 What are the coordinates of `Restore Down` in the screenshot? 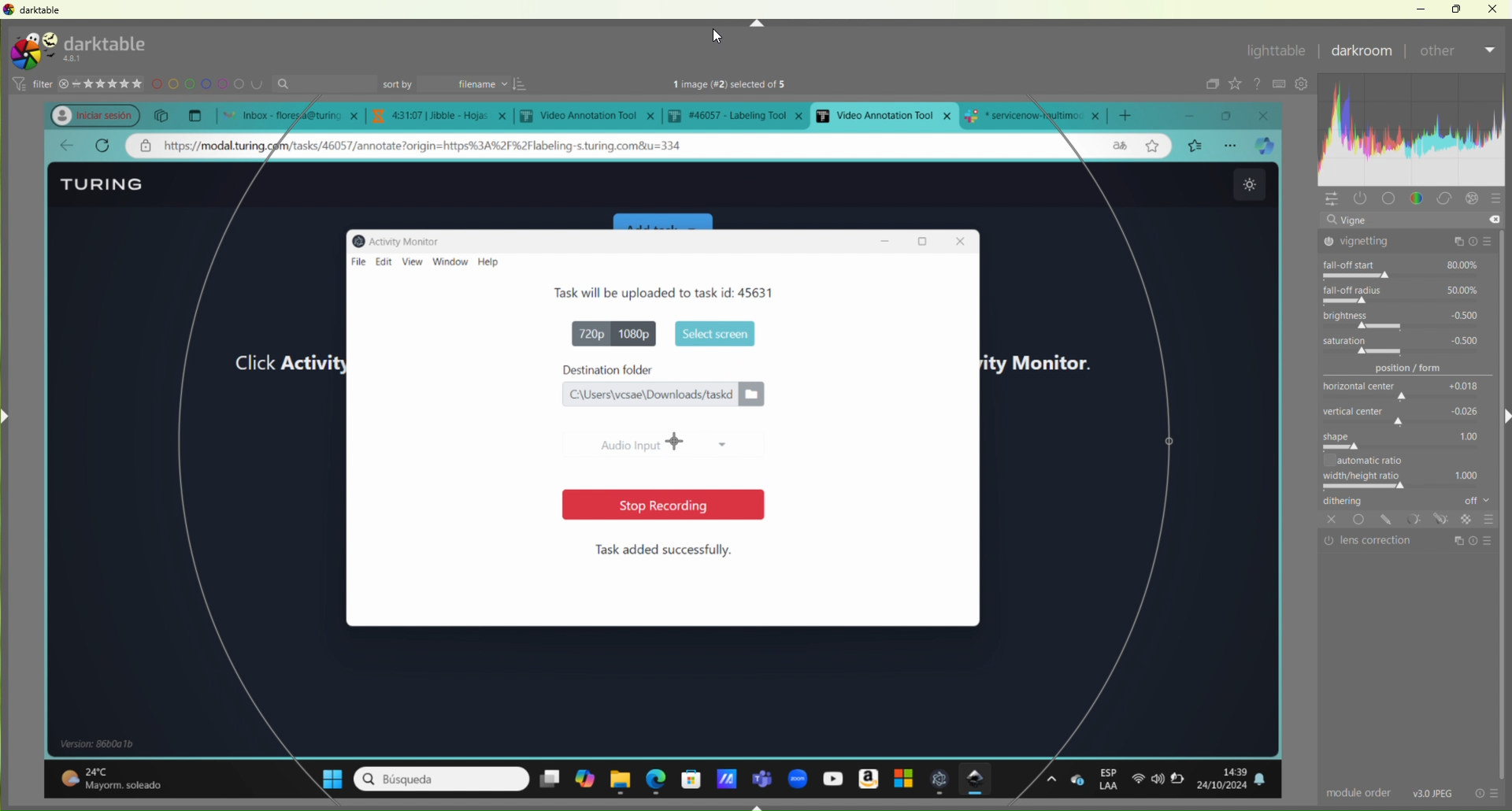 It's located at (1457, 9).